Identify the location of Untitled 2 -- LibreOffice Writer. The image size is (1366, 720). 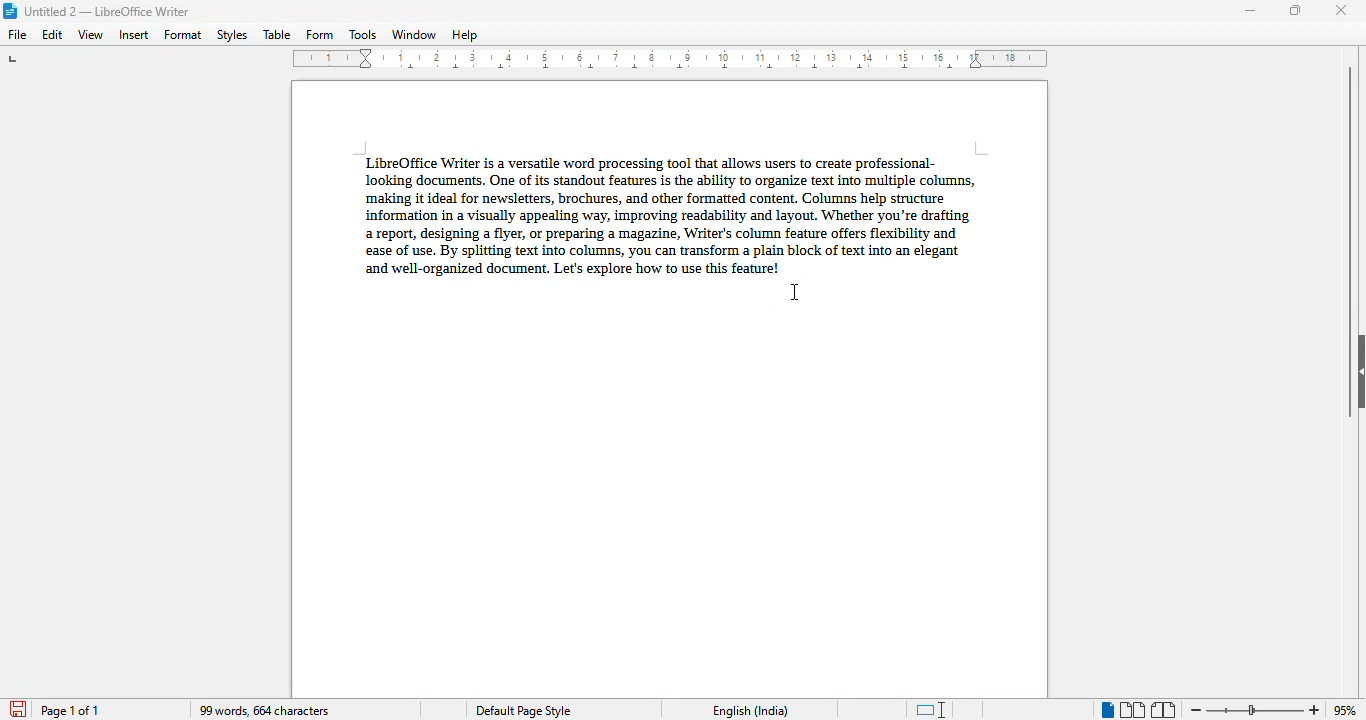
(109, 11).